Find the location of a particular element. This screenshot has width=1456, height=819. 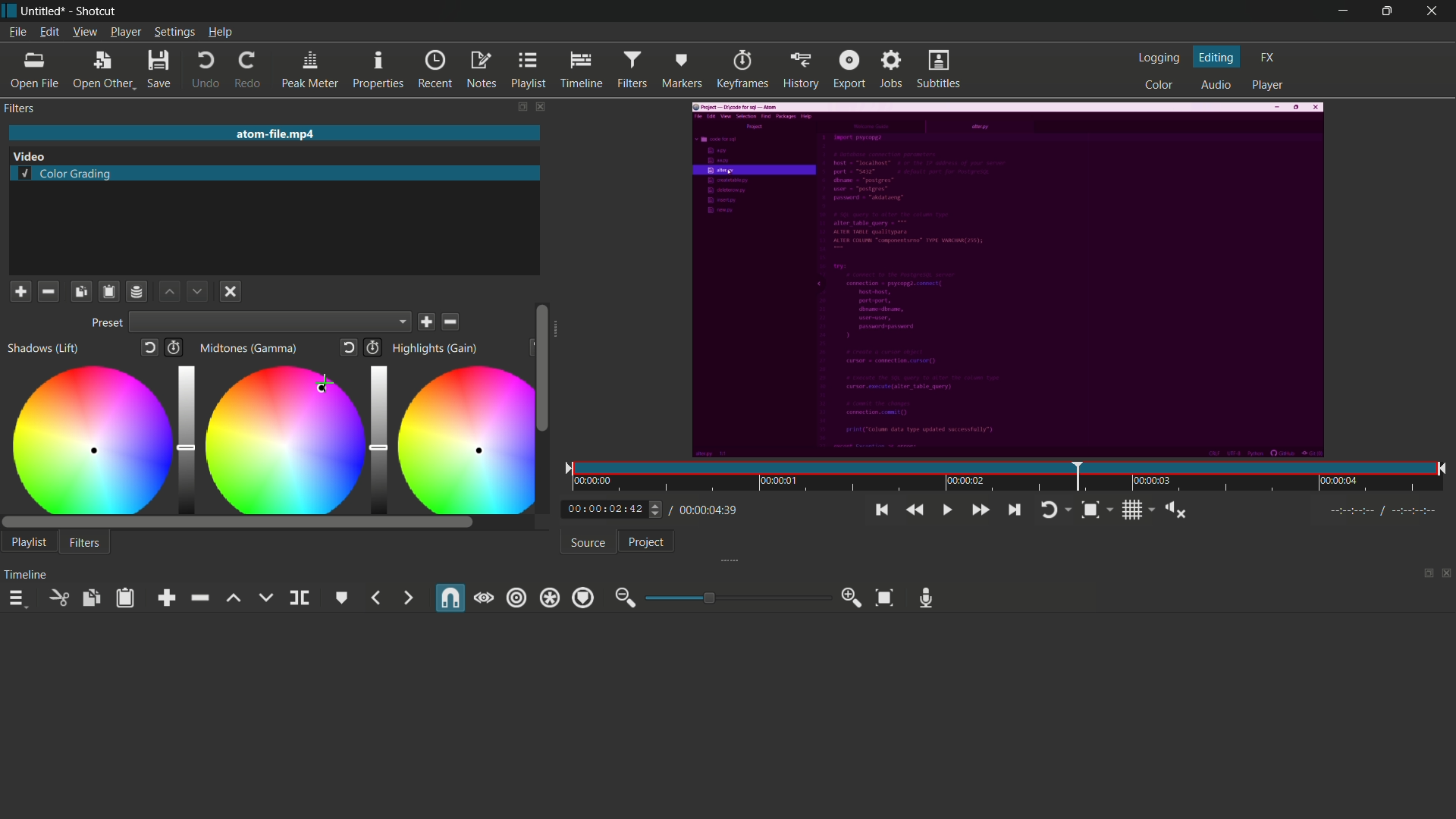

quickly play backward is located at coordinates (912, 510).